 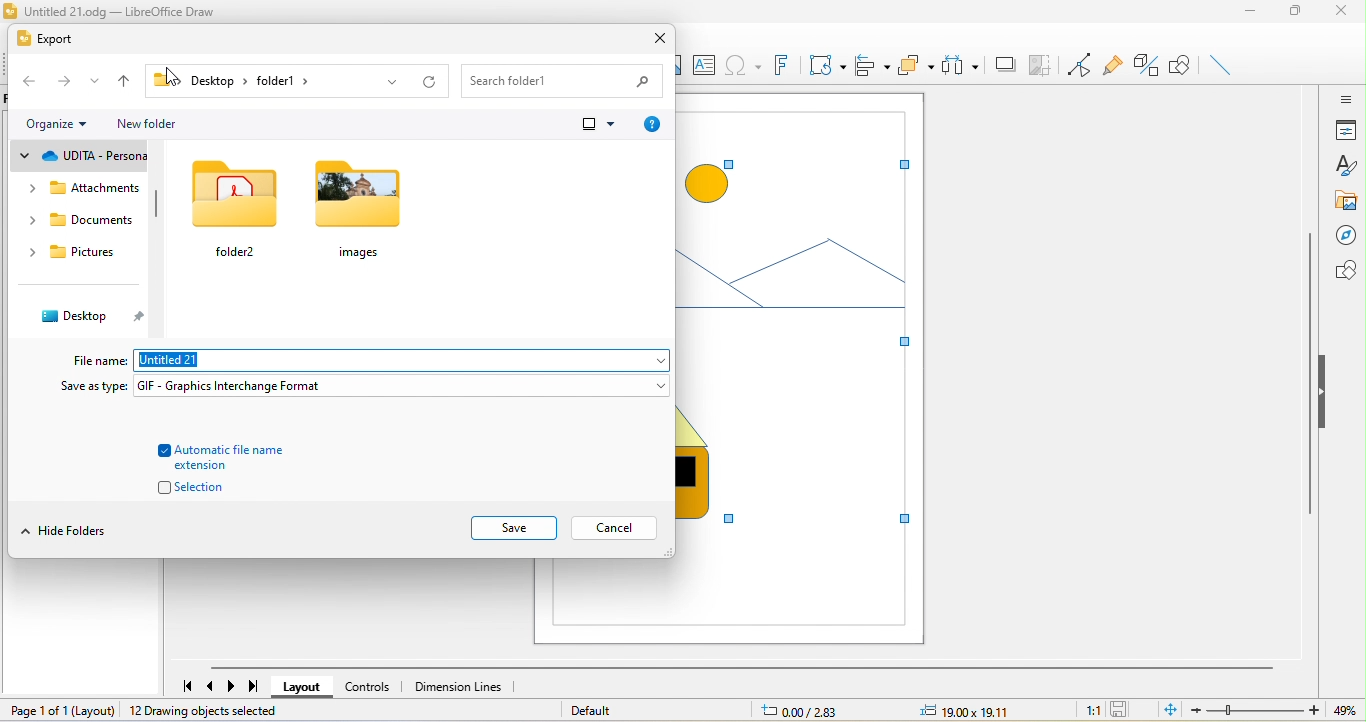 What do you see at coordinates (30, 82) in the screenshot?
I see `back` at bounding box center [30, 82].